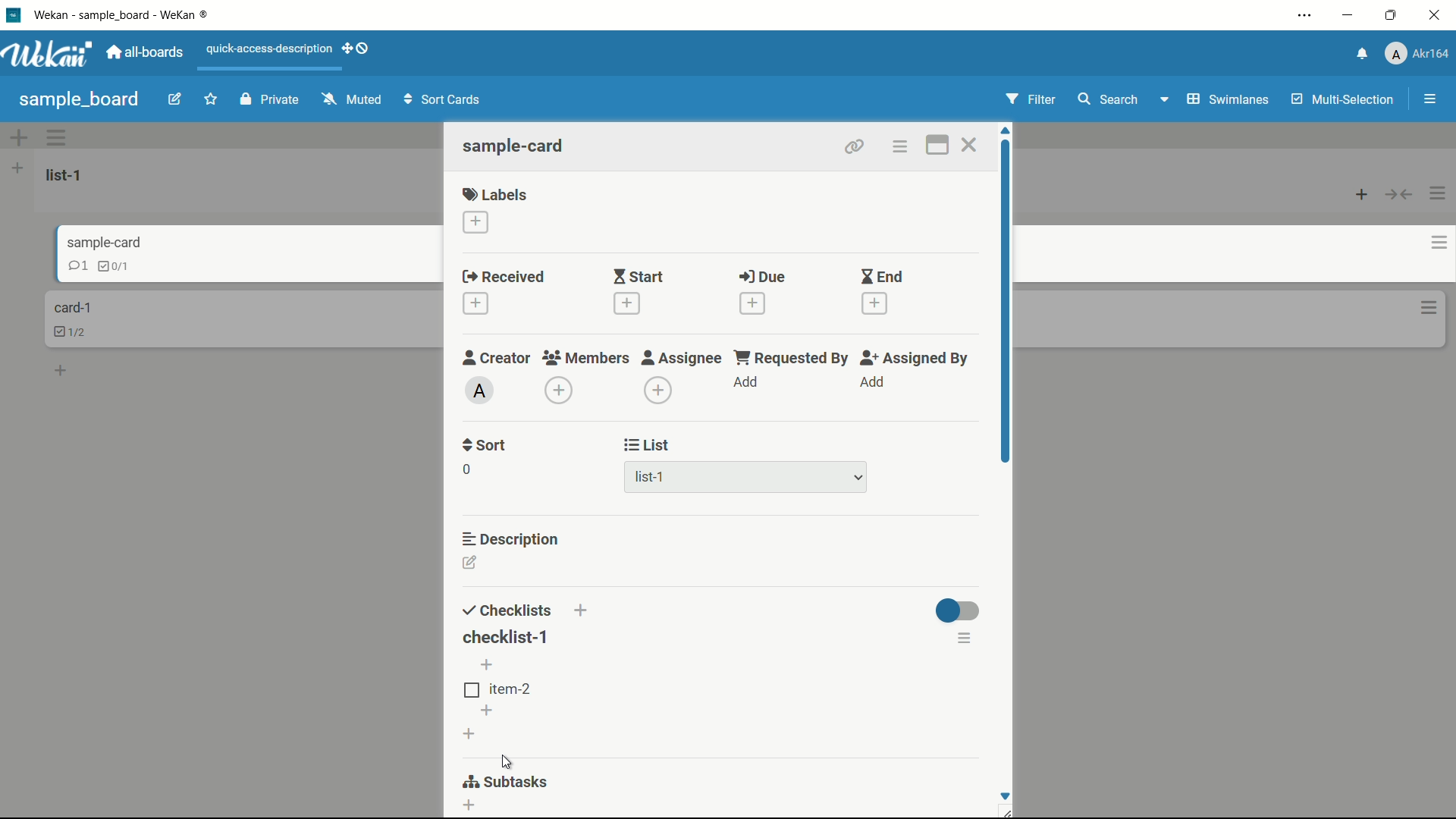 The height and width of the screenshot is (819, 1456). Describe the element at coordinates (1360, 55) in the screenshot. I see `notifications` at that location.